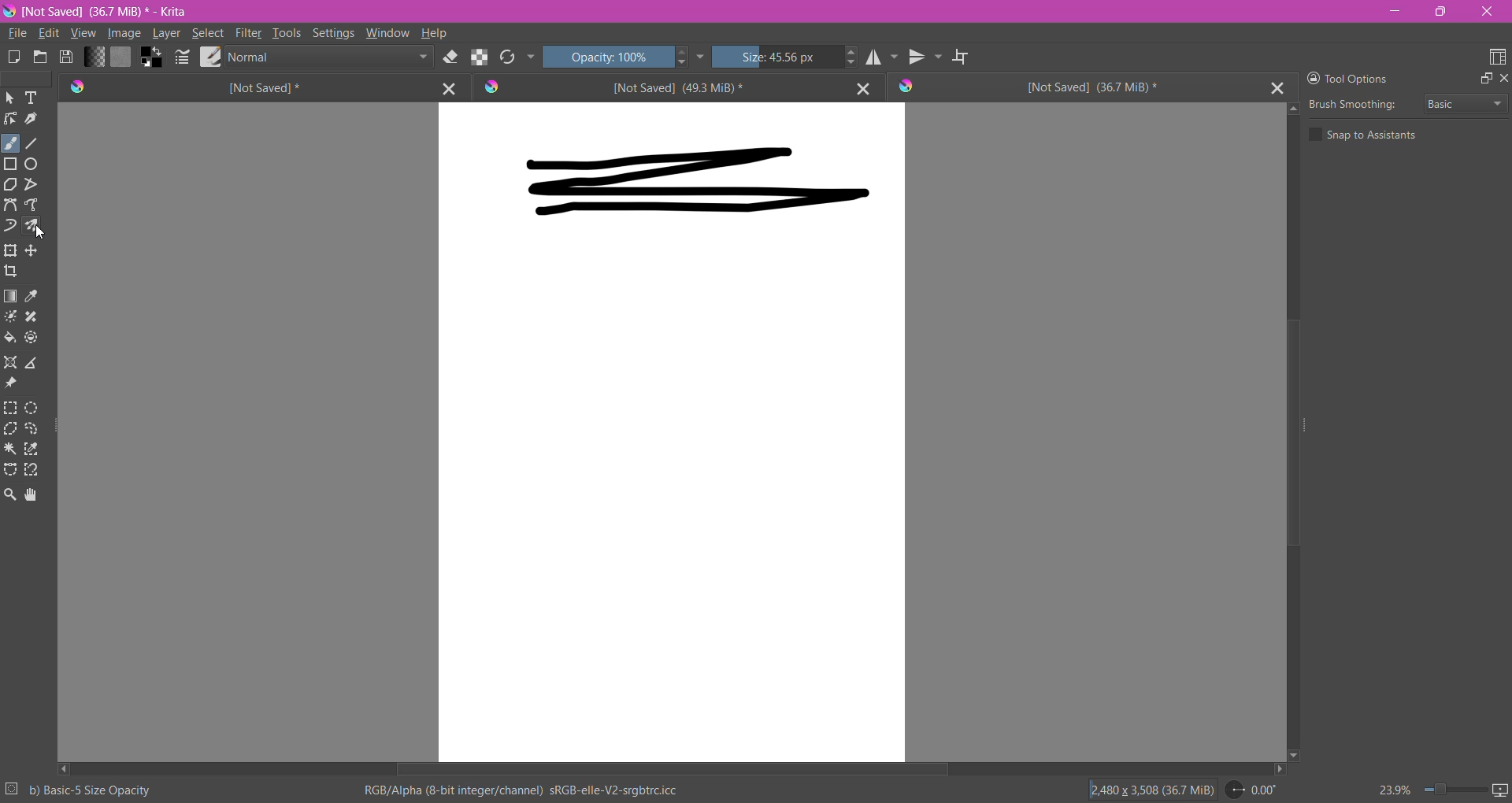 The width and height of the screenshot is (1512, 803). Describe the element at coordinates (151, 58) in the screenshot. I see `Background Color Selector` at that location.